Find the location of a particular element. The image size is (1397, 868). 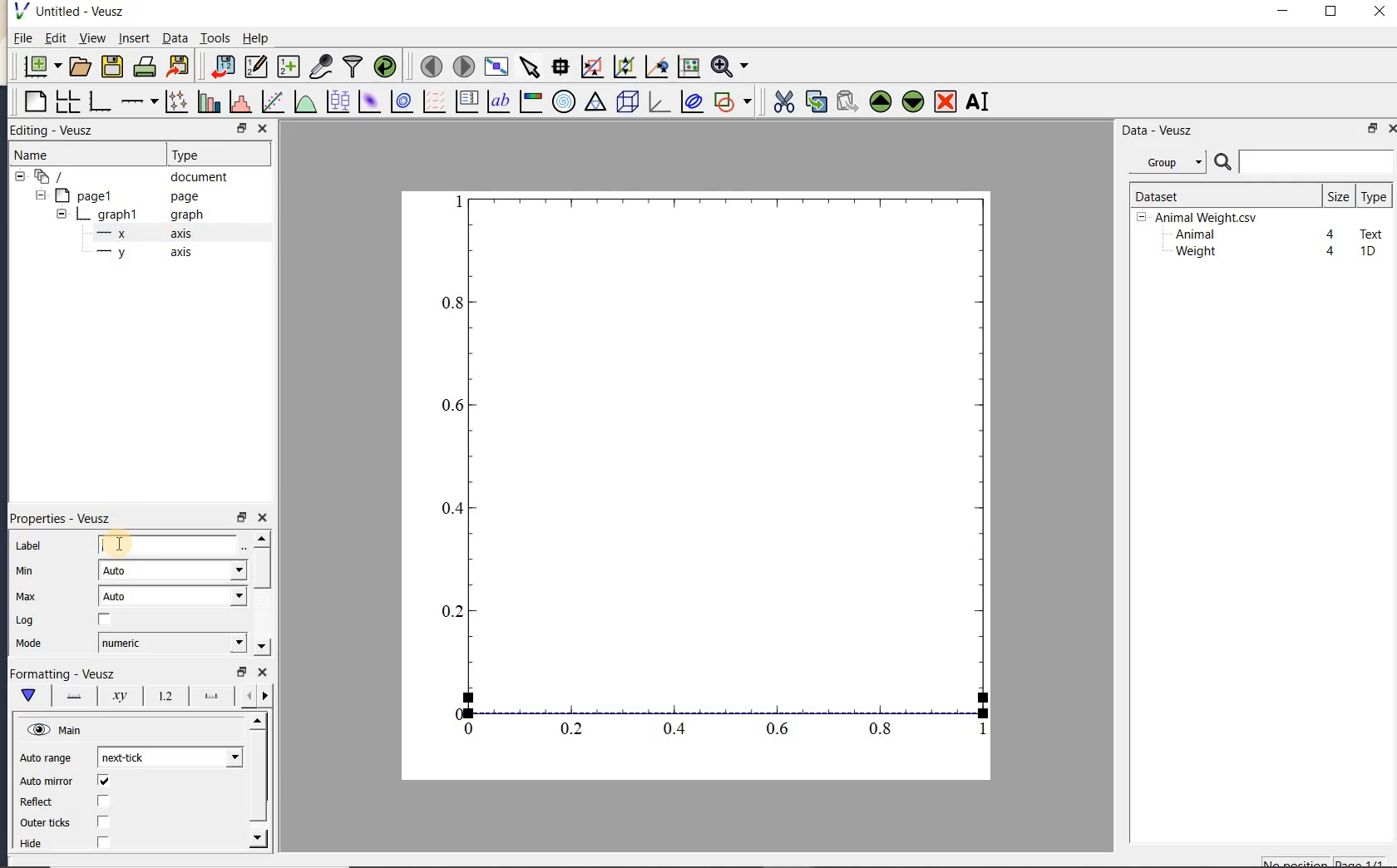

reload linked datasets is located at coordinates (385, 65).